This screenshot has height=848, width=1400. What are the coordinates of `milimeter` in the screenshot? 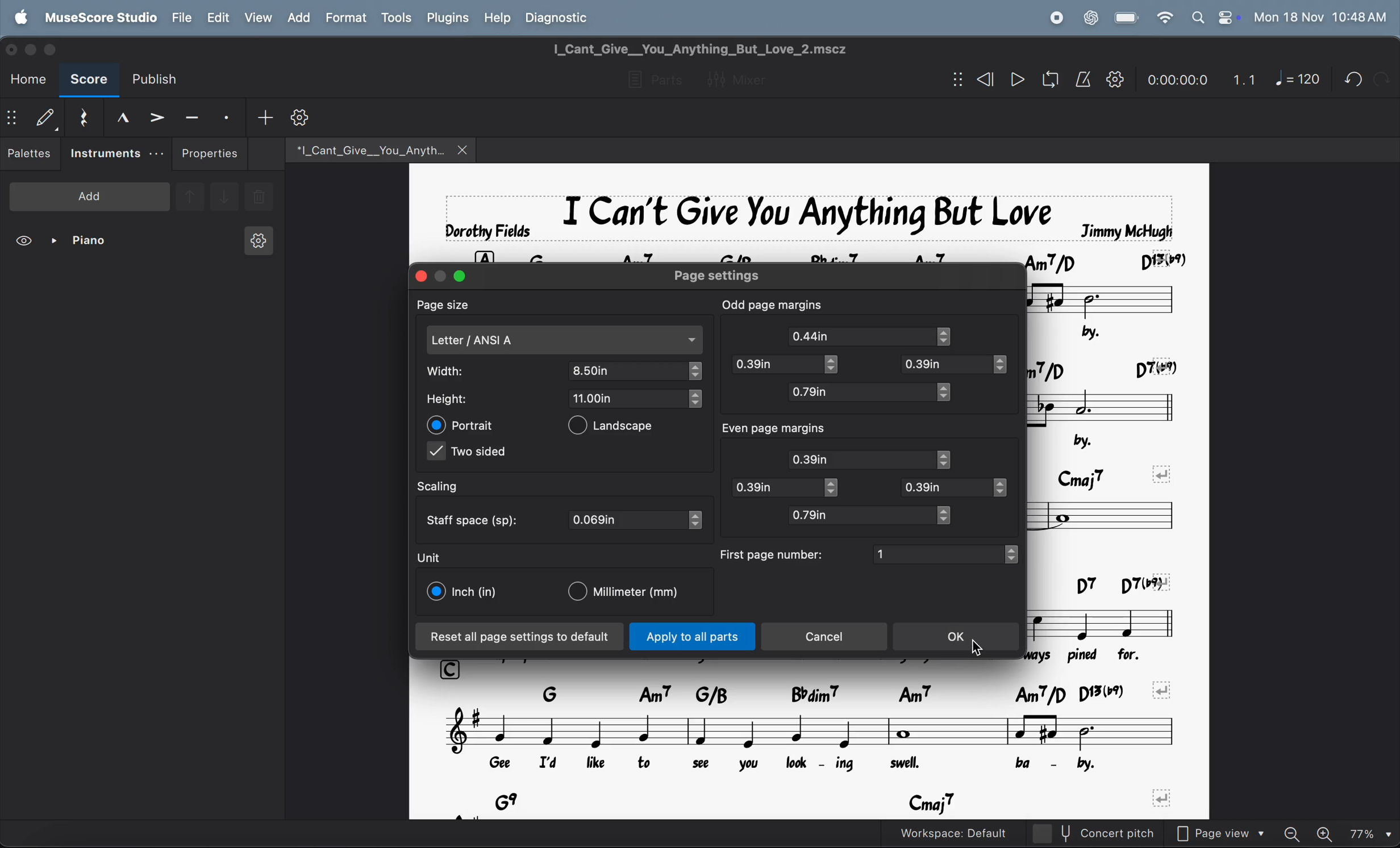 It's located at (630, 593).